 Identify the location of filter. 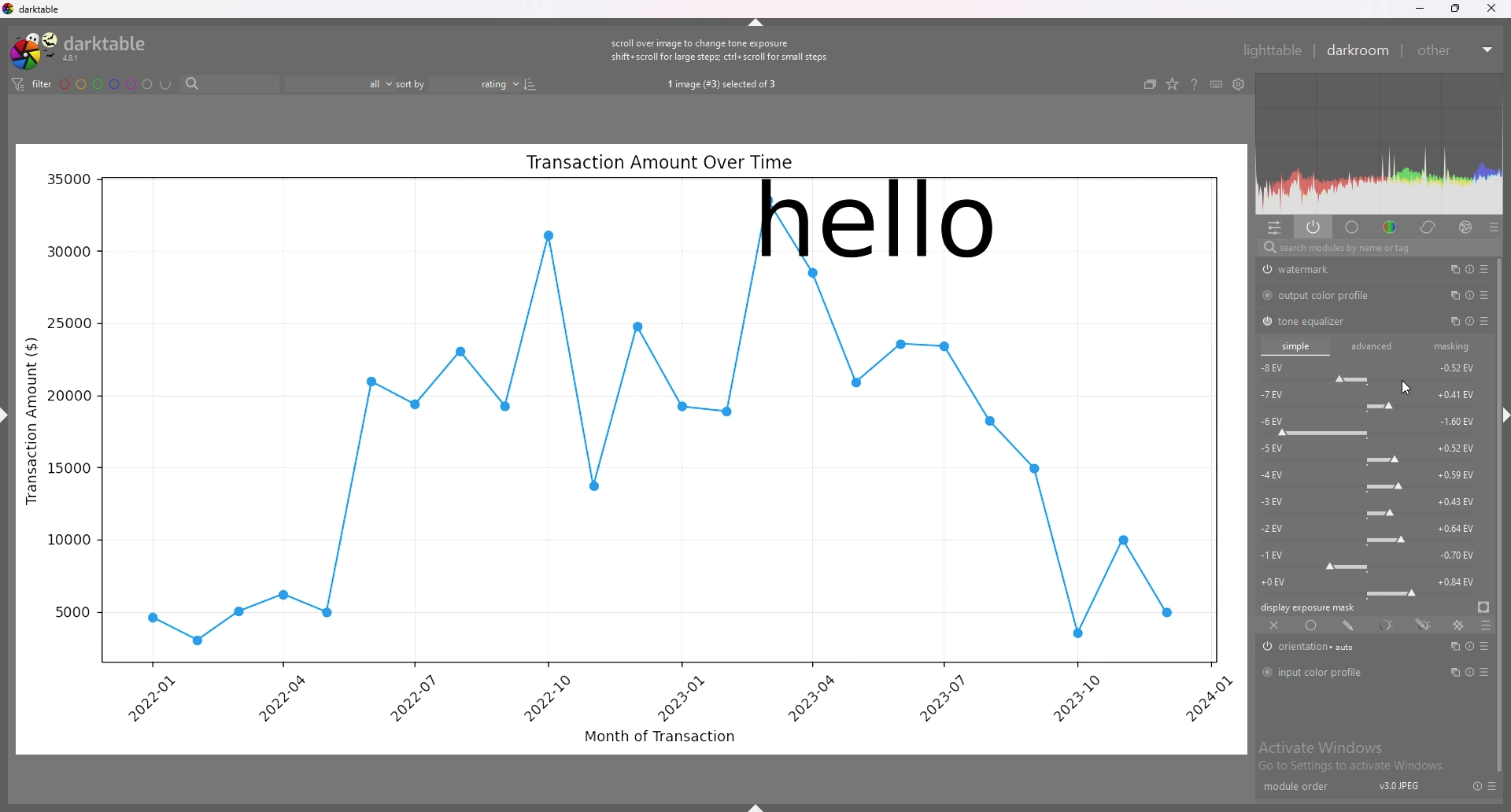
(31, 86).